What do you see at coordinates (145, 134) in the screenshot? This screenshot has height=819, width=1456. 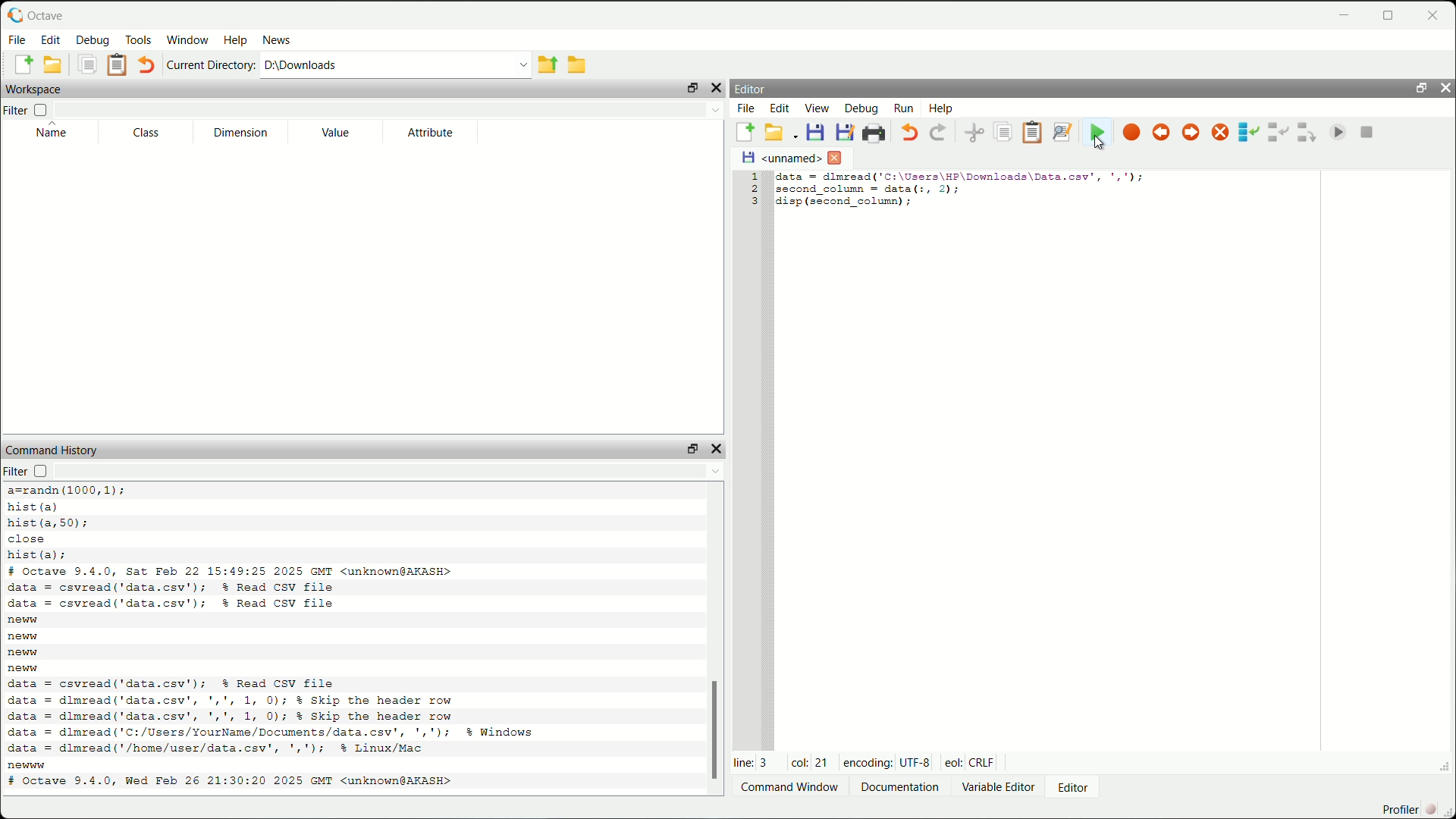 I see `class` at bounding box center [145, 134].